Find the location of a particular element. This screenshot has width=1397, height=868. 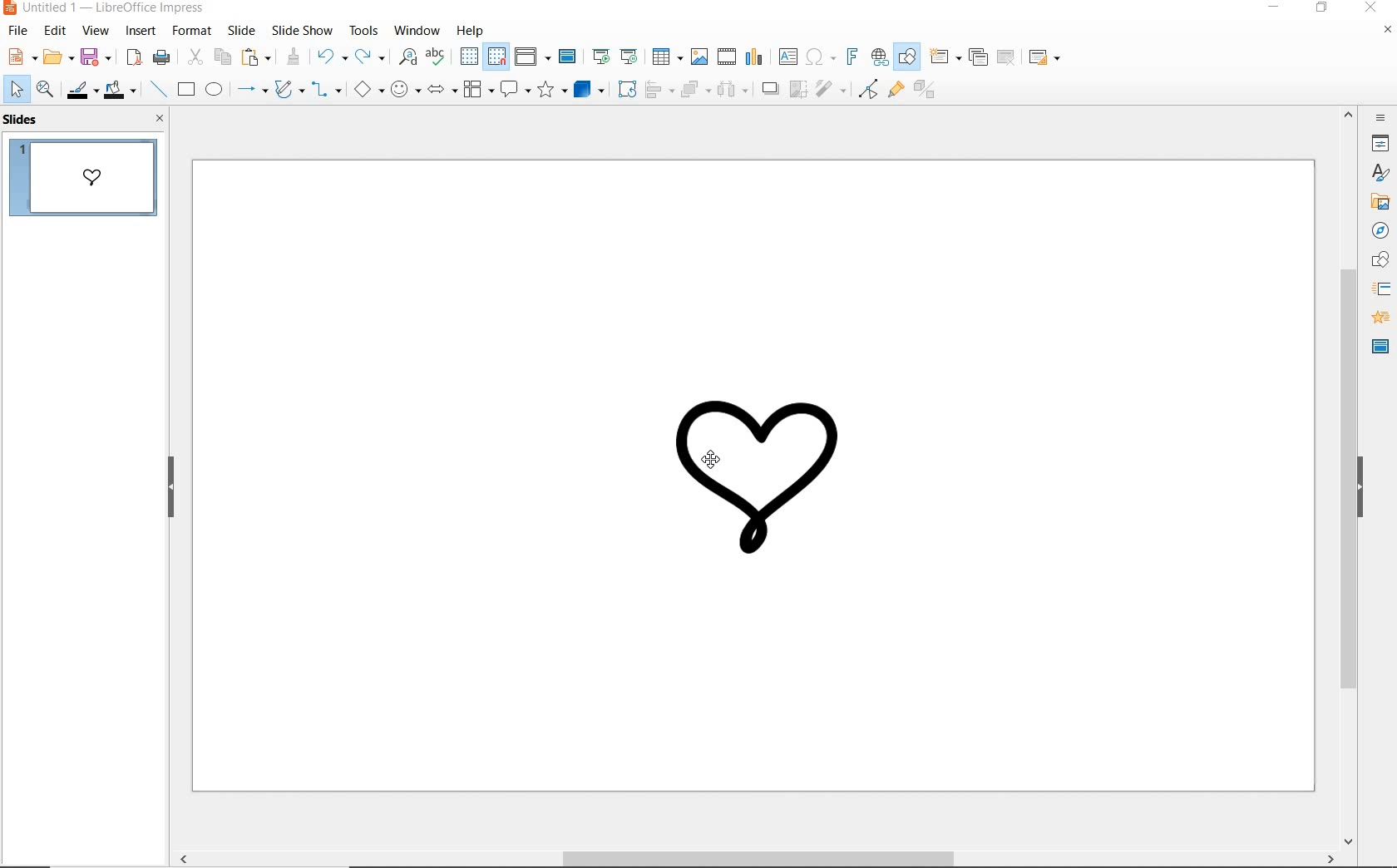

ANIMATION is located at coordinates (1380, 318).